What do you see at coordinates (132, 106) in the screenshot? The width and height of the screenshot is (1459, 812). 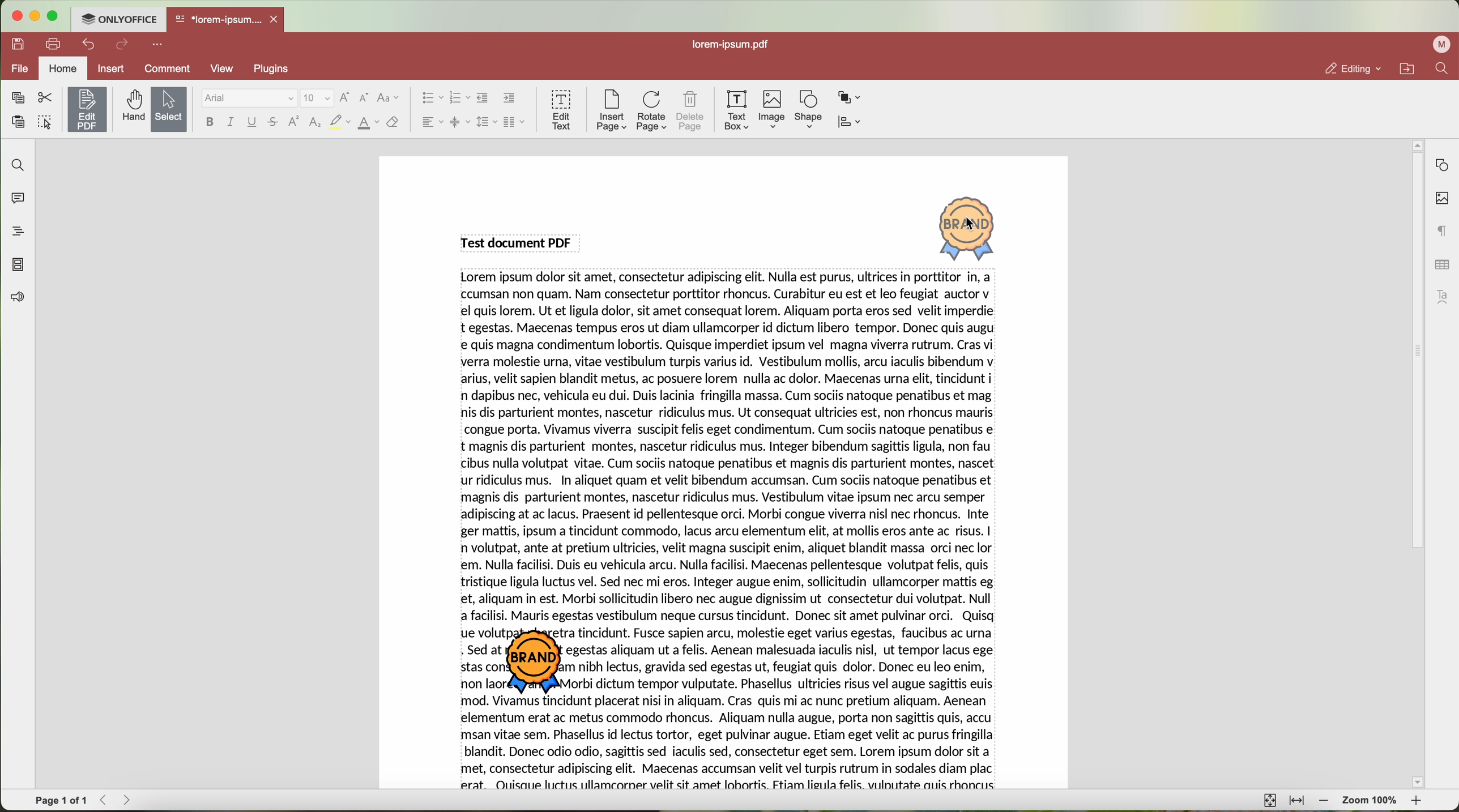 I see `hand` at bounding box center [132, 106].